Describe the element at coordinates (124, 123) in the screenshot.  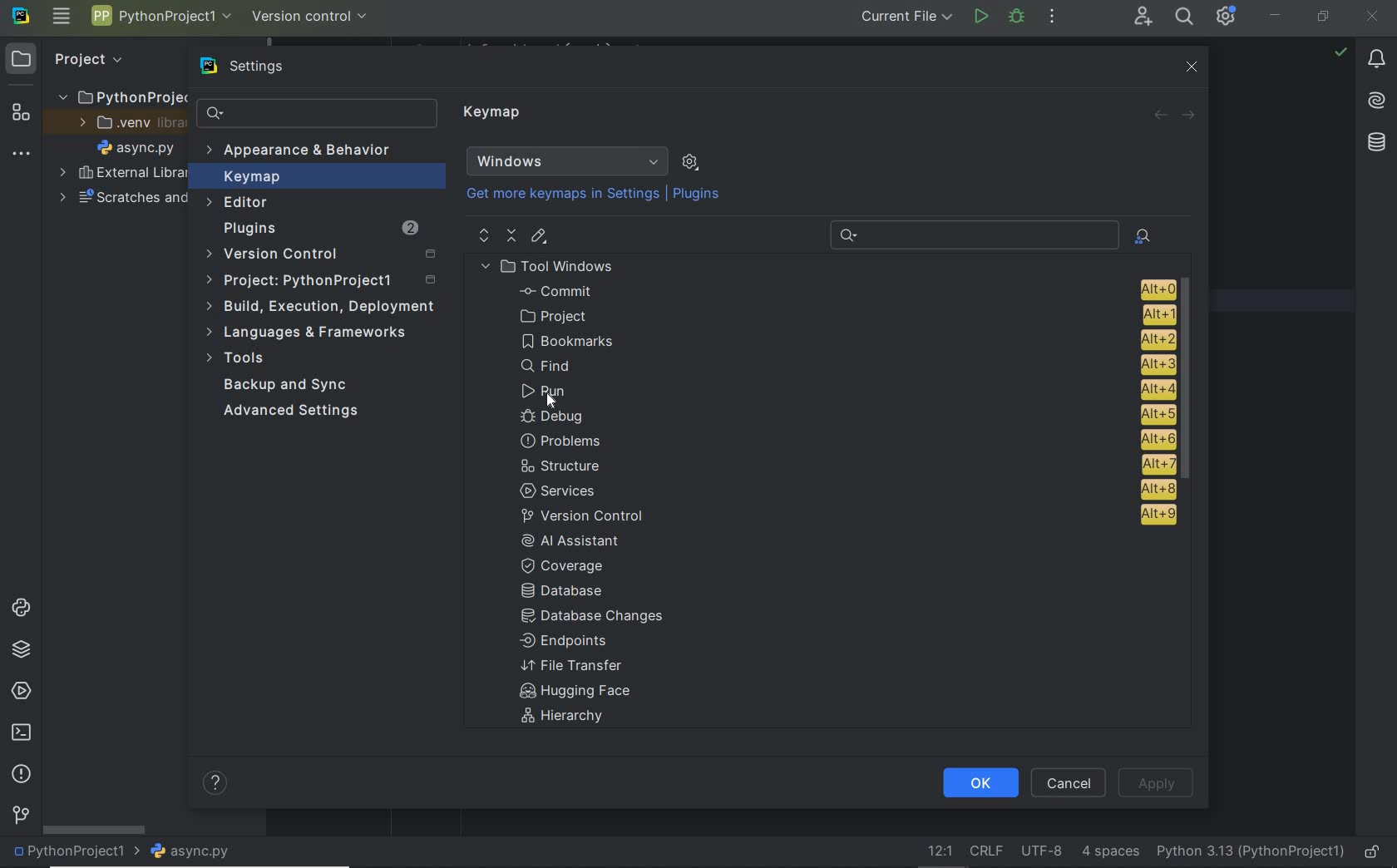
I see `.venv` at that location.